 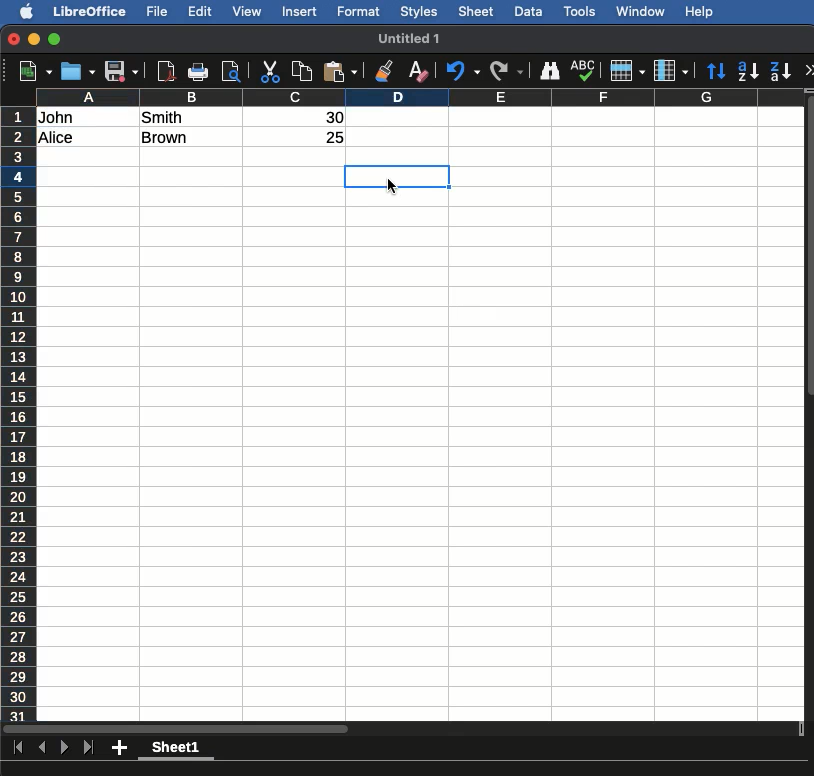 What do you see at coordinates (342, 72) in the screenshot?
I see `Paste` at bounding box center [342, 72].